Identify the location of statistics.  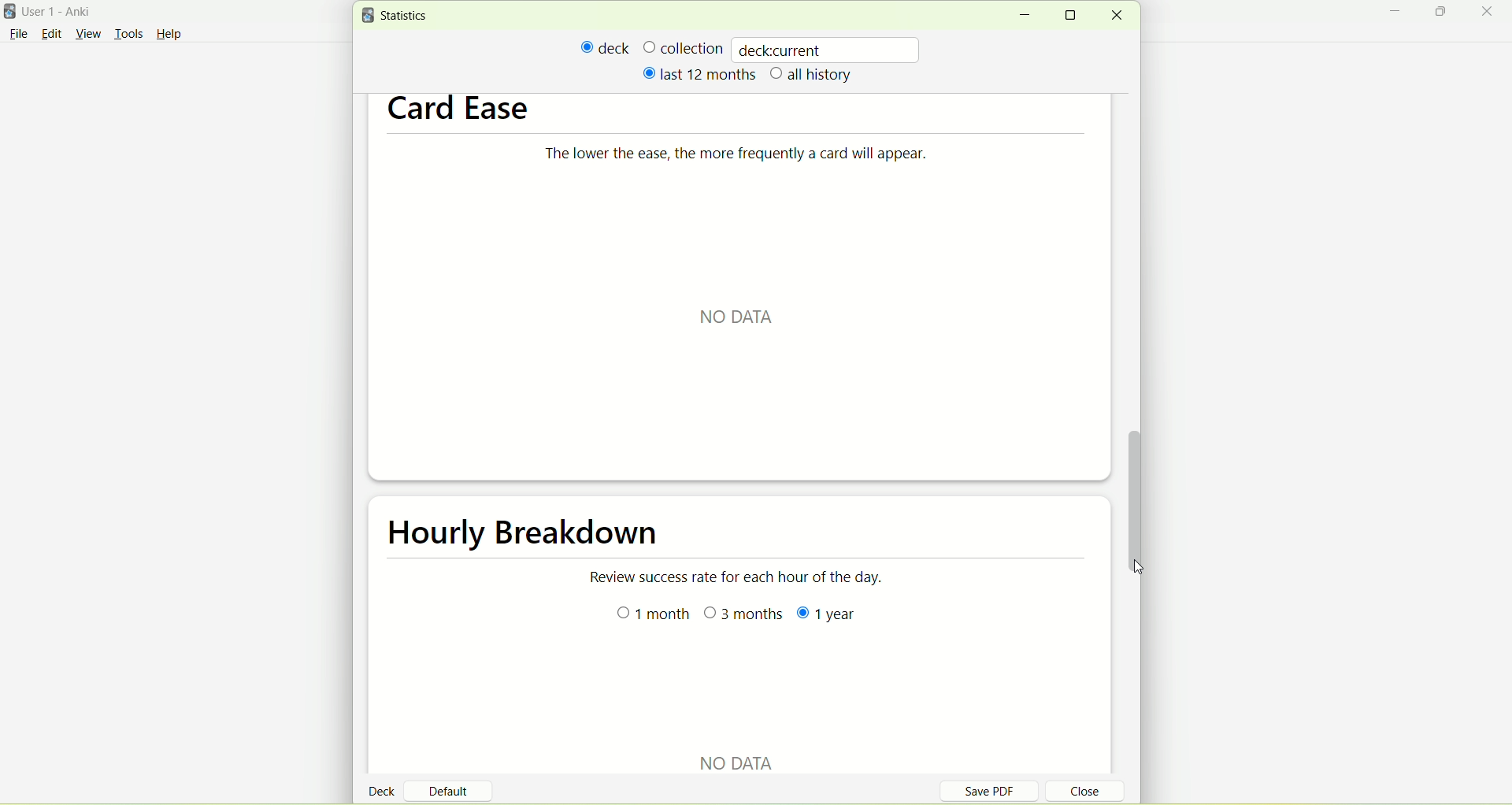
(398, 16).